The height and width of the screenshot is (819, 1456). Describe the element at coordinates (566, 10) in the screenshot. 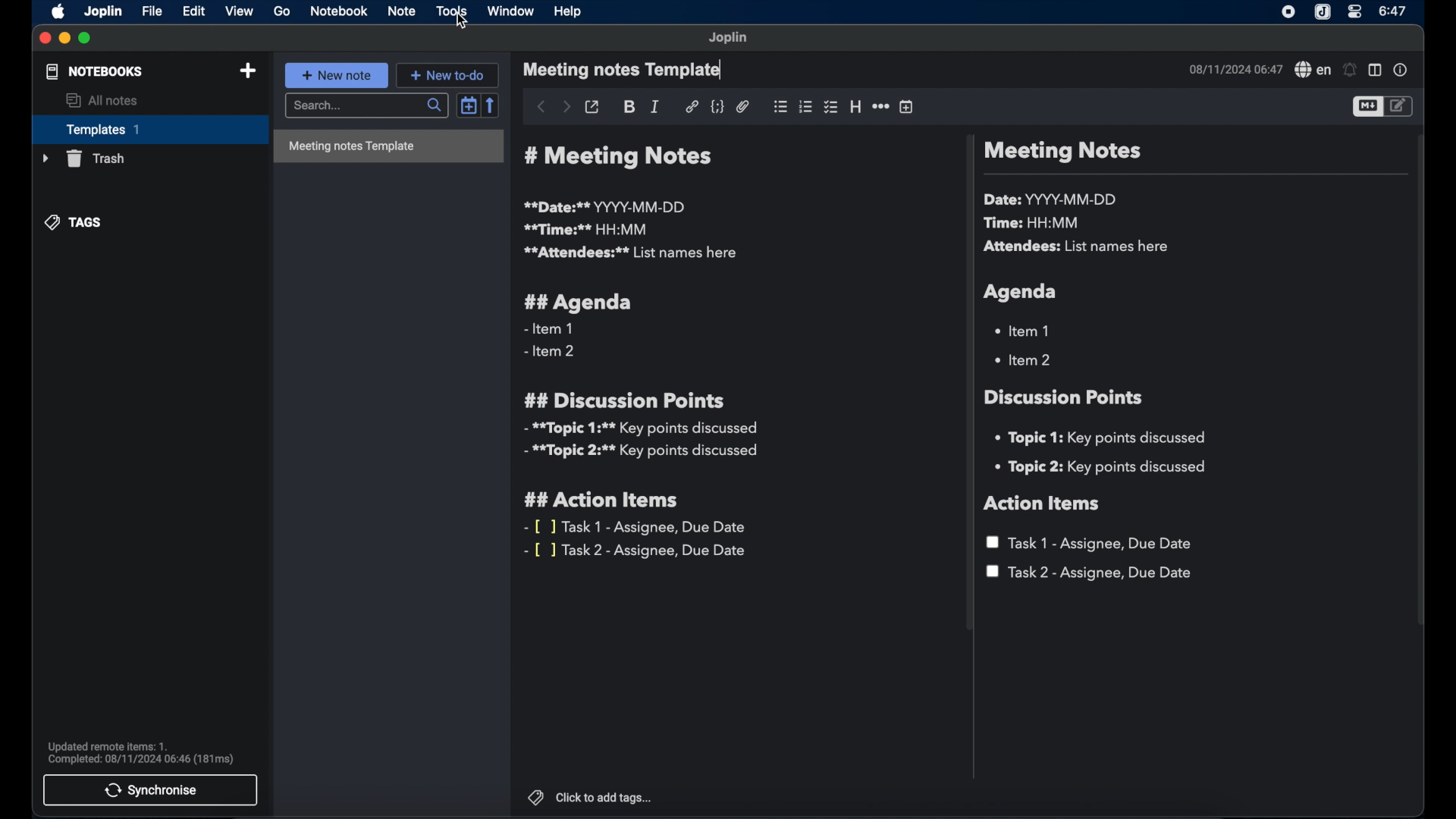

I see `help` at that location.